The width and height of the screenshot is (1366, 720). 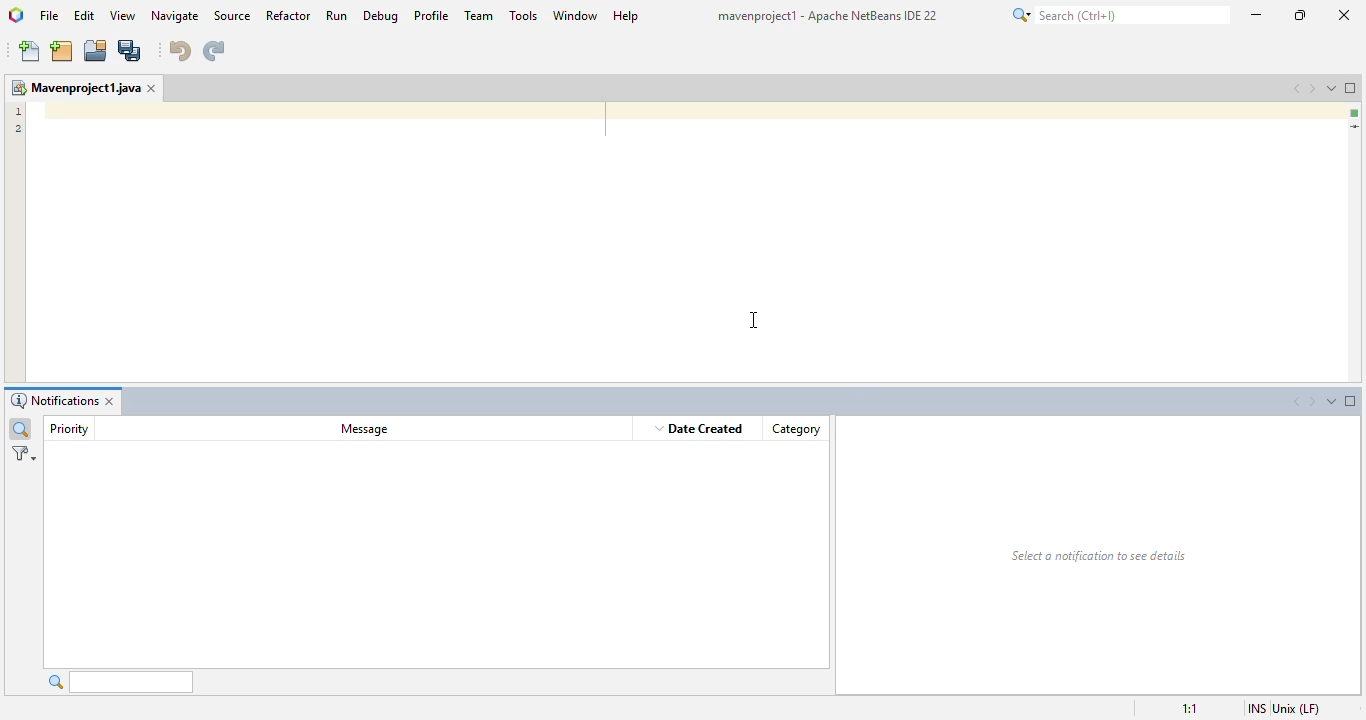 What do you see at coordinates (1332, 401) in the screenshot?
I see `show opened documents list` at bounding box center [1332, 401].